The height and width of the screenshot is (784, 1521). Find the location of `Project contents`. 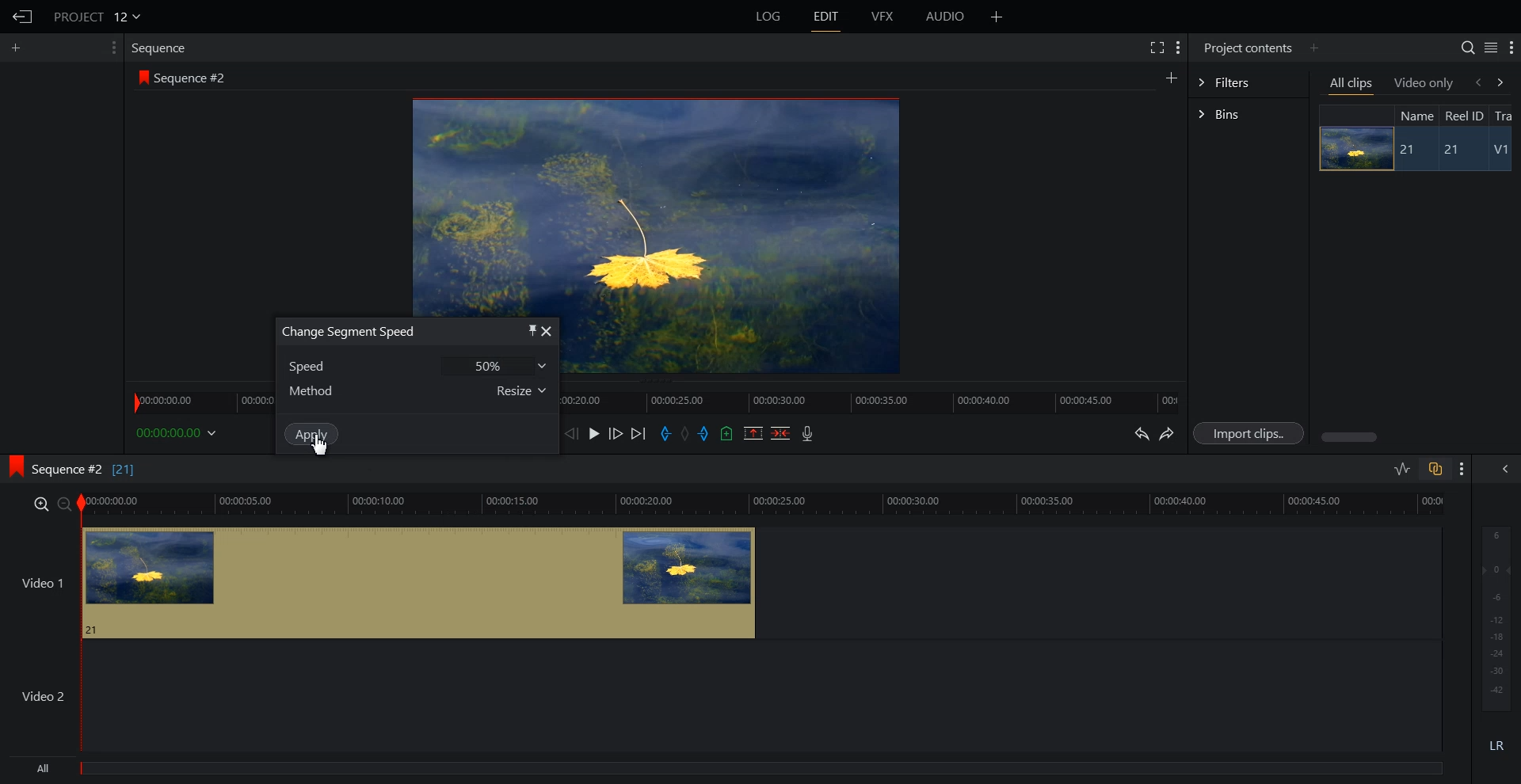

Project contents is located at coordinates (1246, 46).